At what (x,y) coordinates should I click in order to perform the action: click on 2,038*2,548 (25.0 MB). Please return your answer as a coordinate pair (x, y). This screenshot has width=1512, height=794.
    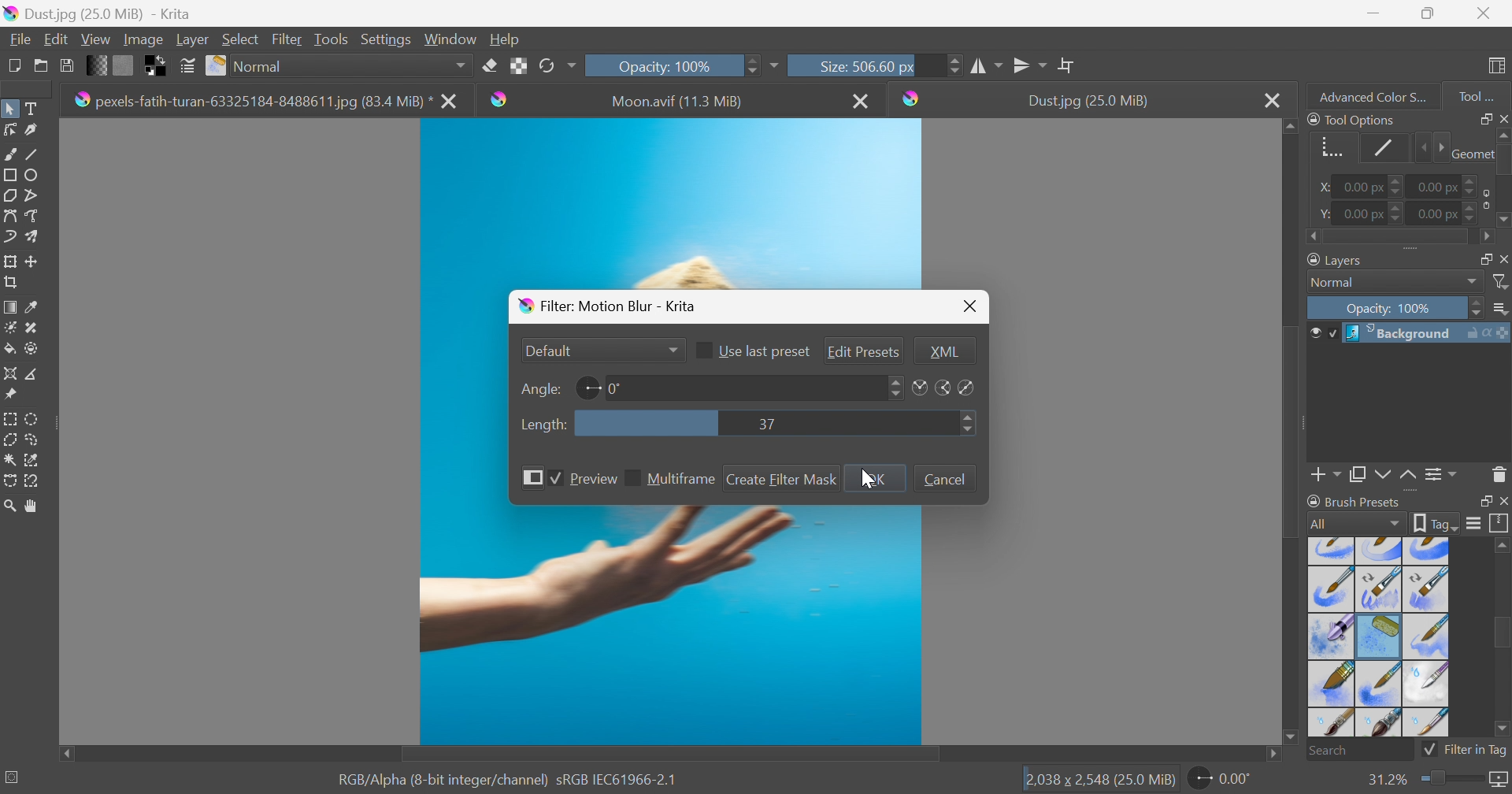
    Looking at the image, I should click on (1100, 781).